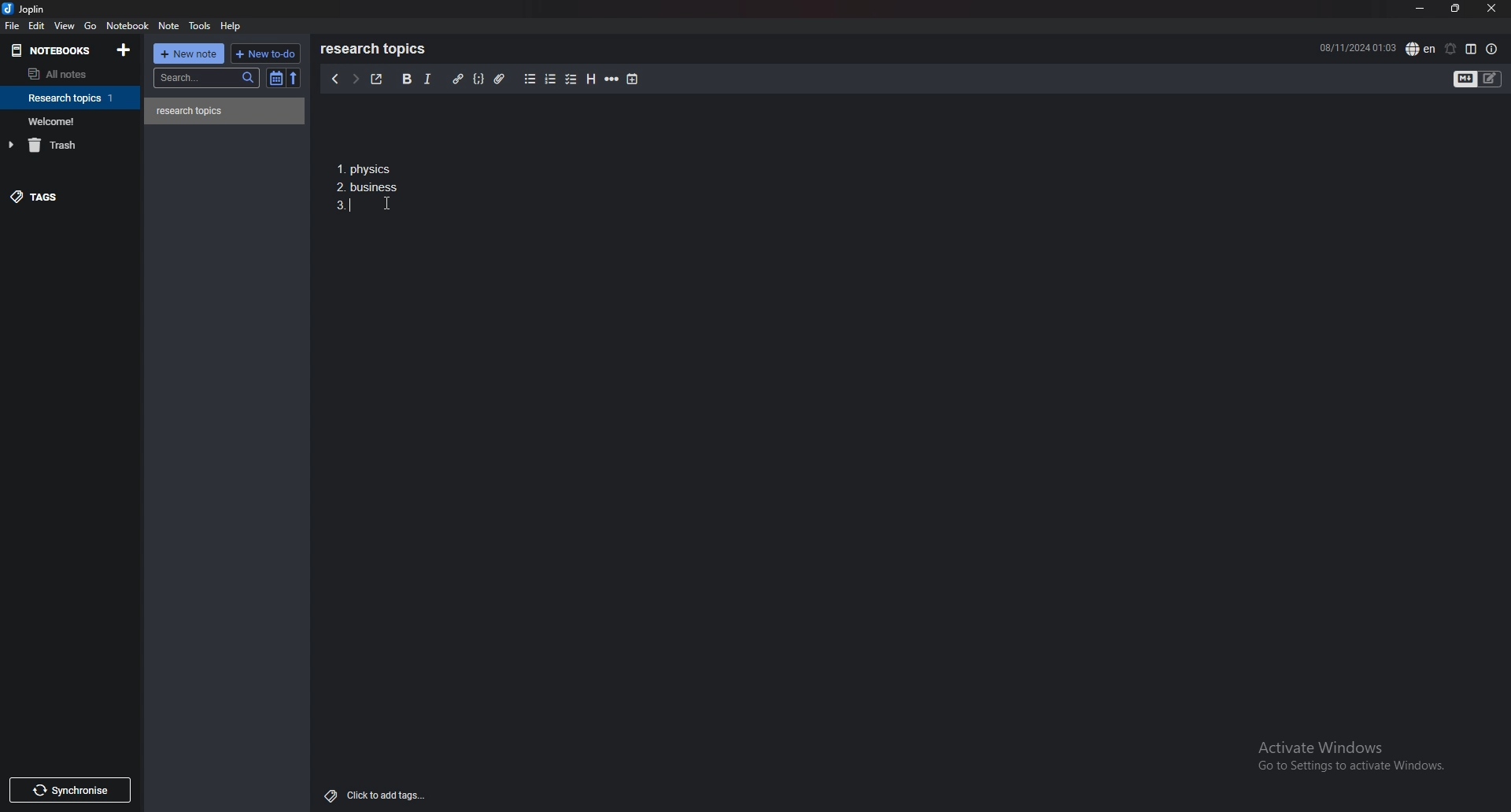 This screenshot has height=812, width=1511. I want to click on toggle editor, so click(1479, 79).